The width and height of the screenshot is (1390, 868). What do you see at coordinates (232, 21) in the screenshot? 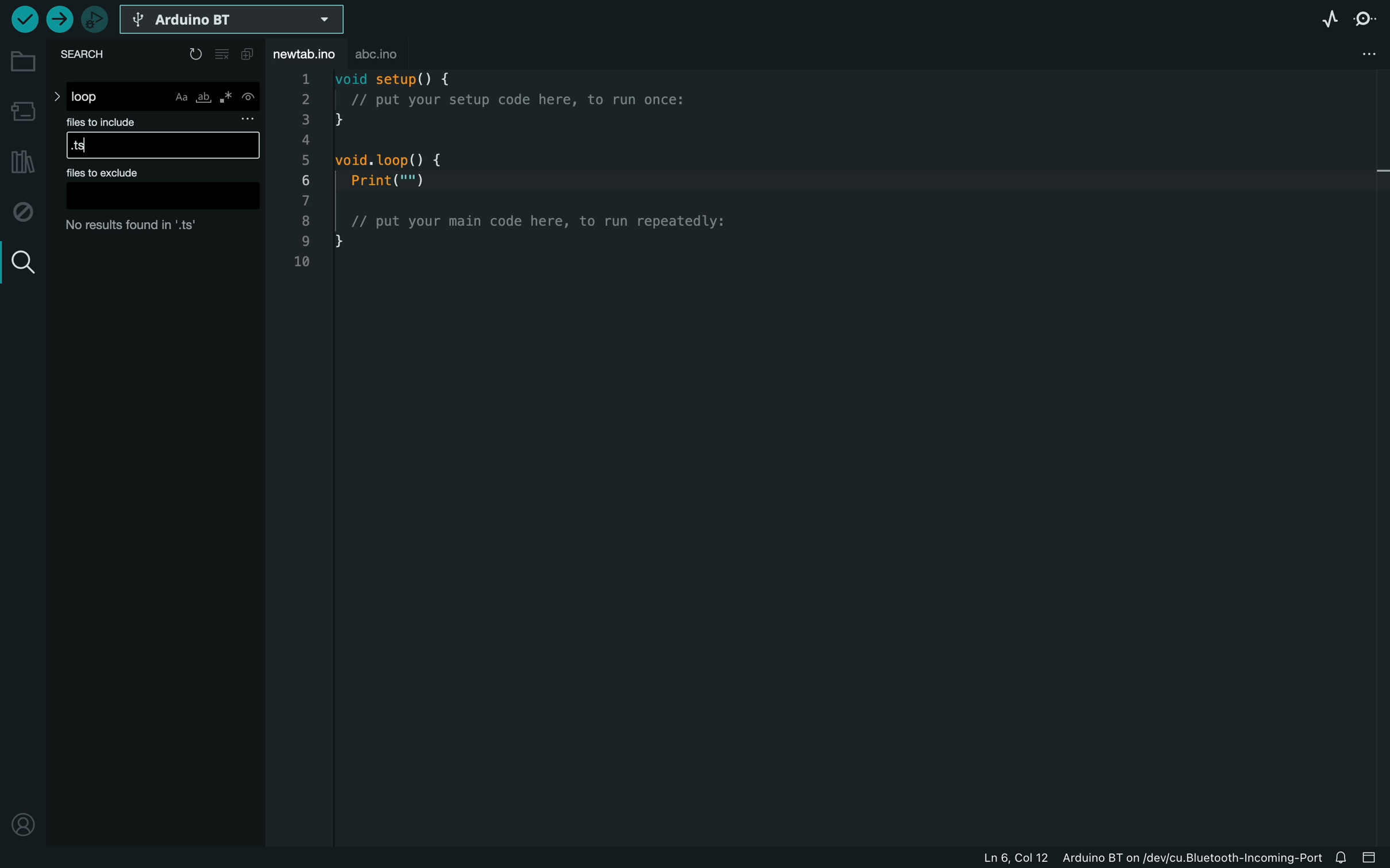
I see `select board` at bounding box center [232, 21].